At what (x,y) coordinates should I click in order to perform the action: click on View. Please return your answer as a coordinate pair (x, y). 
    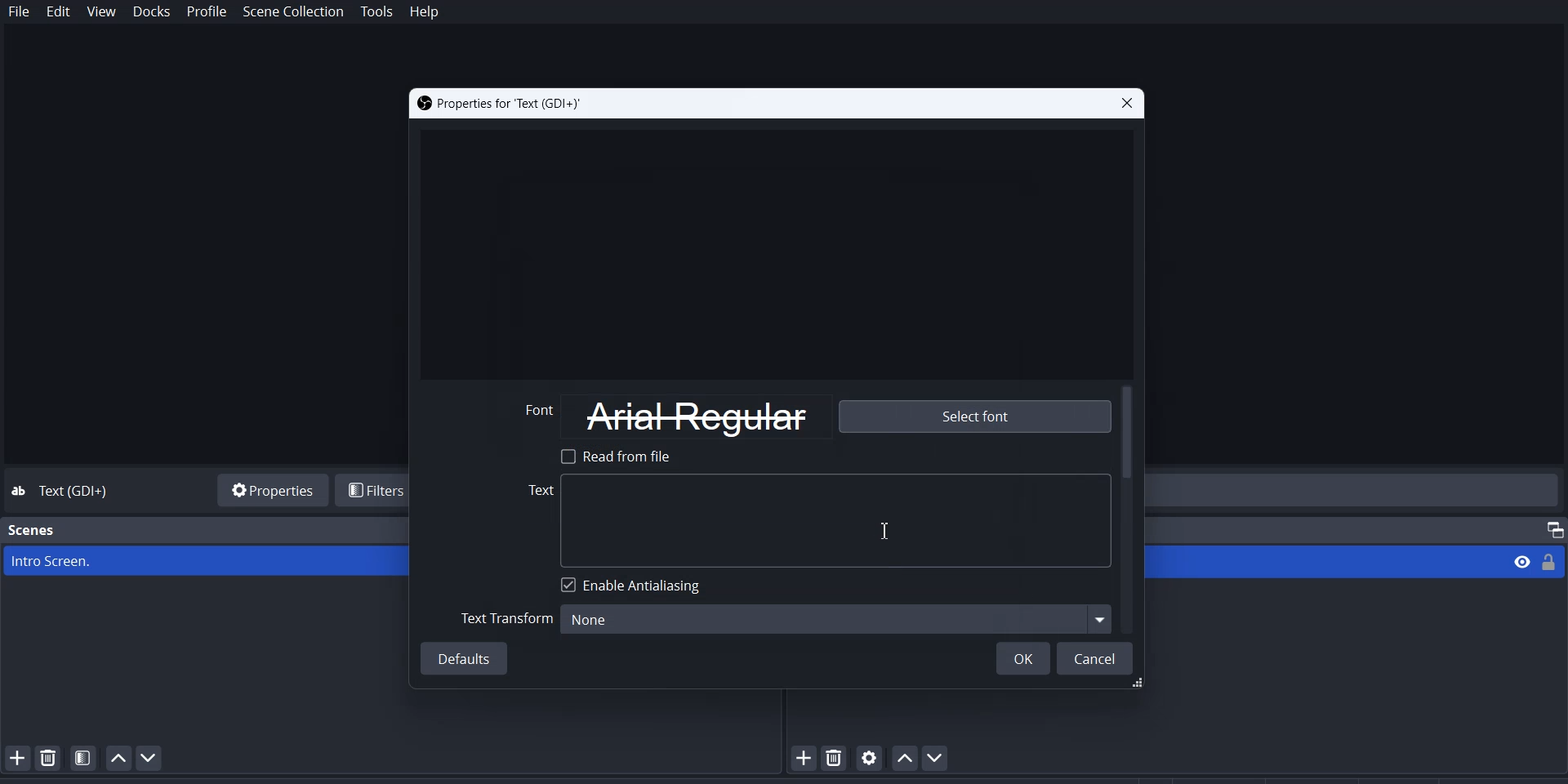
    Looking at the image, I should click on (102, 12).